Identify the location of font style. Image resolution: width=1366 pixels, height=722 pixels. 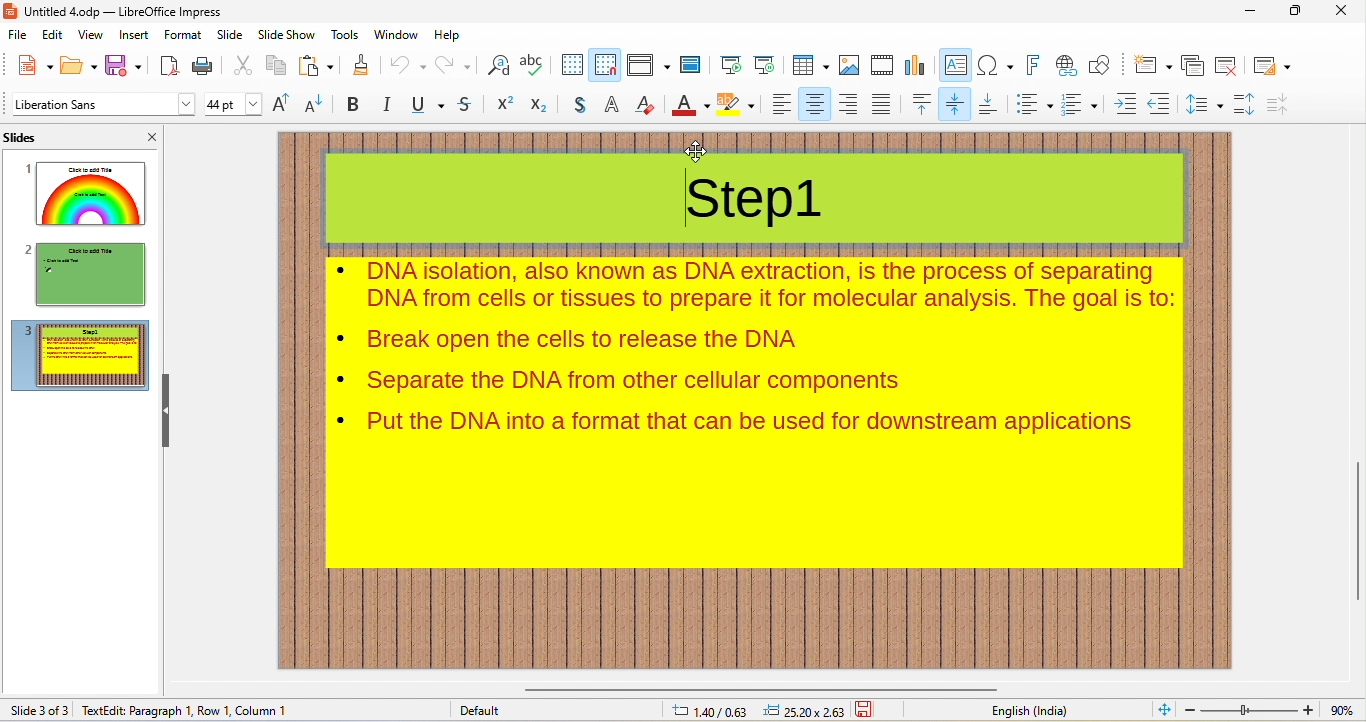
(102, 106).